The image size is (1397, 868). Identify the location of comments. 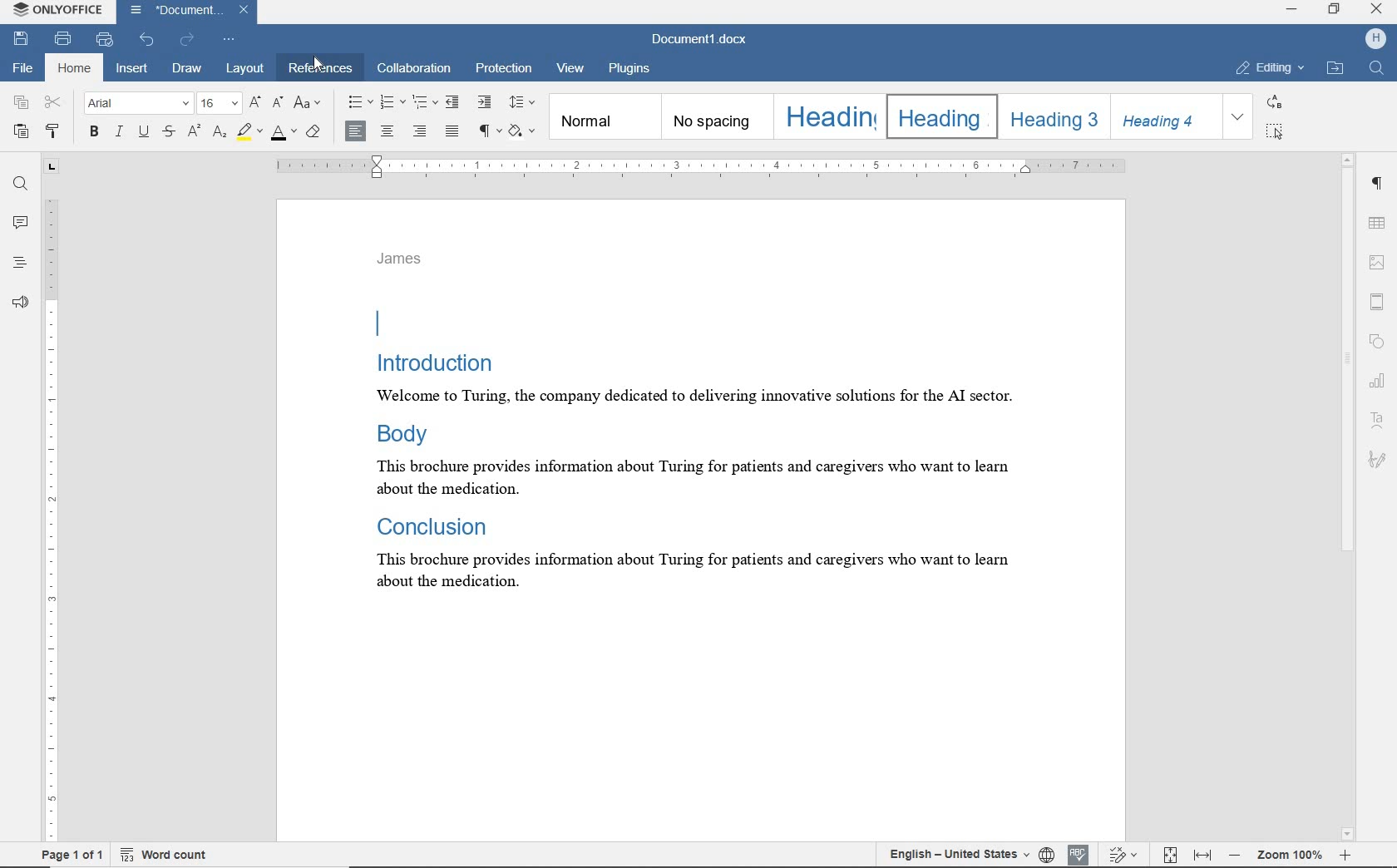
(19, 222).